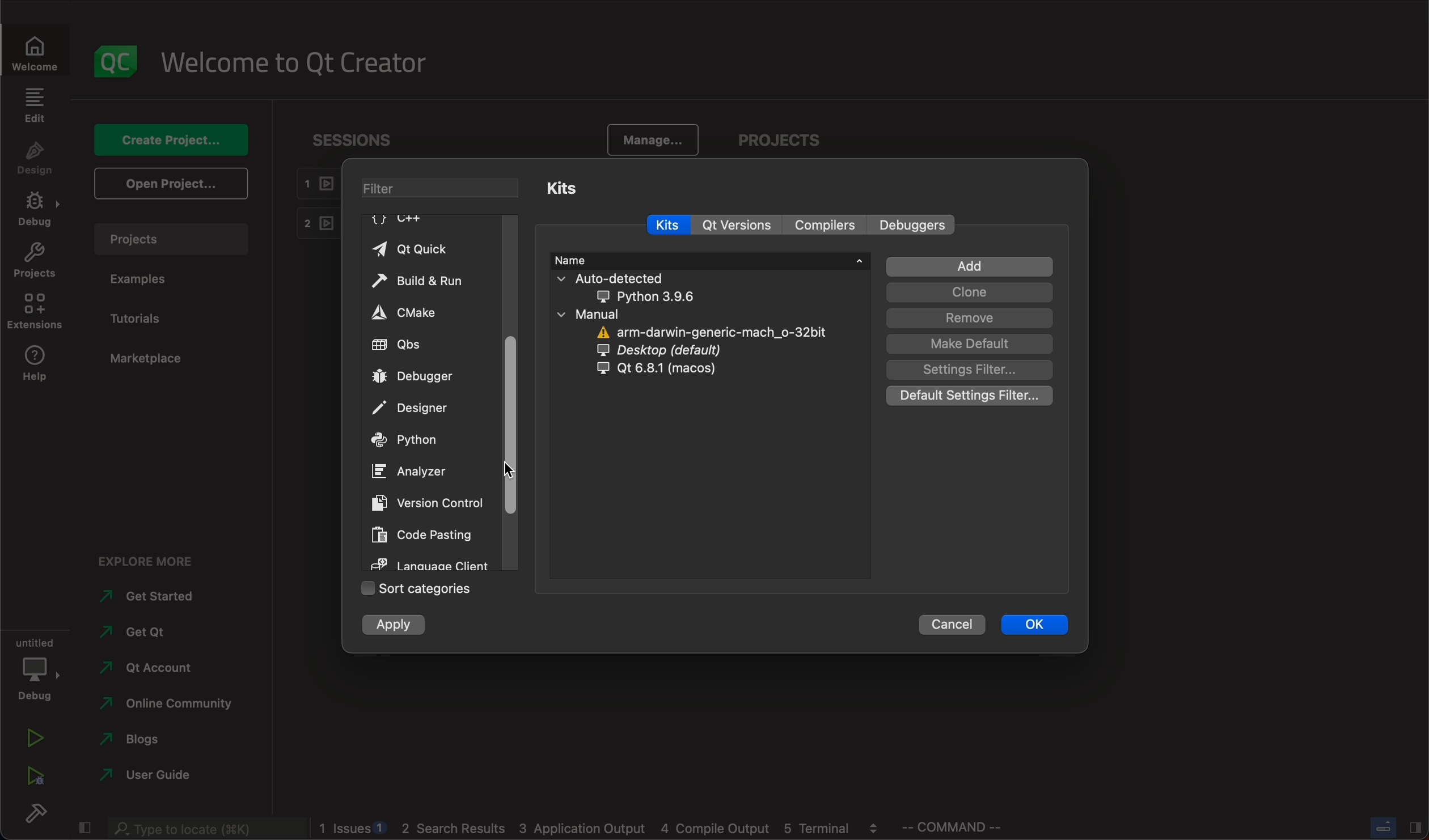 The image size is (1429, 840). Describe the element at coordinates (408, 311) in the screenshot. I see `cmake` at that location.